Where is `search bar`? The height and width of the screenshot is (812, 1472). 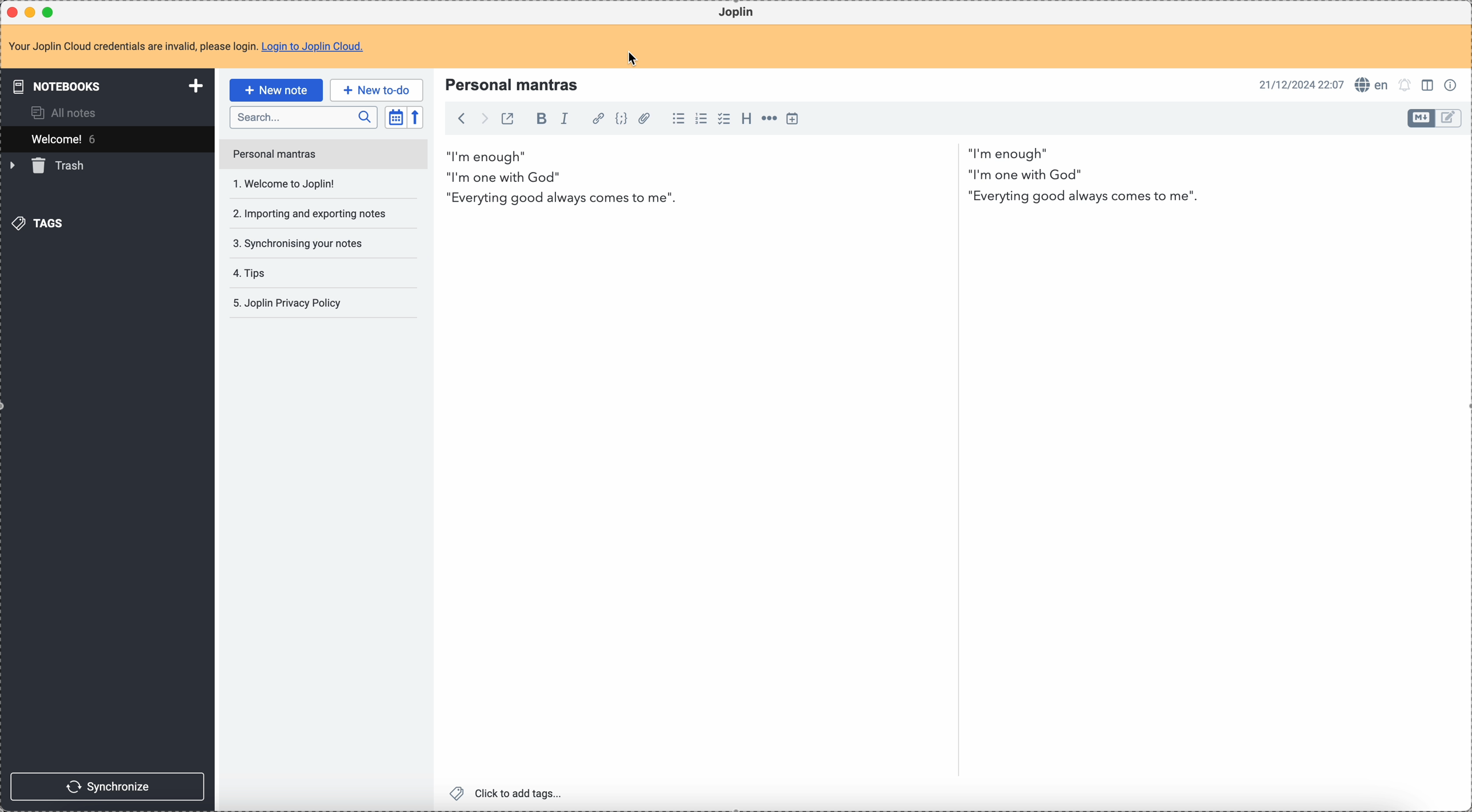
search bar is located at coordinates (303, 117).